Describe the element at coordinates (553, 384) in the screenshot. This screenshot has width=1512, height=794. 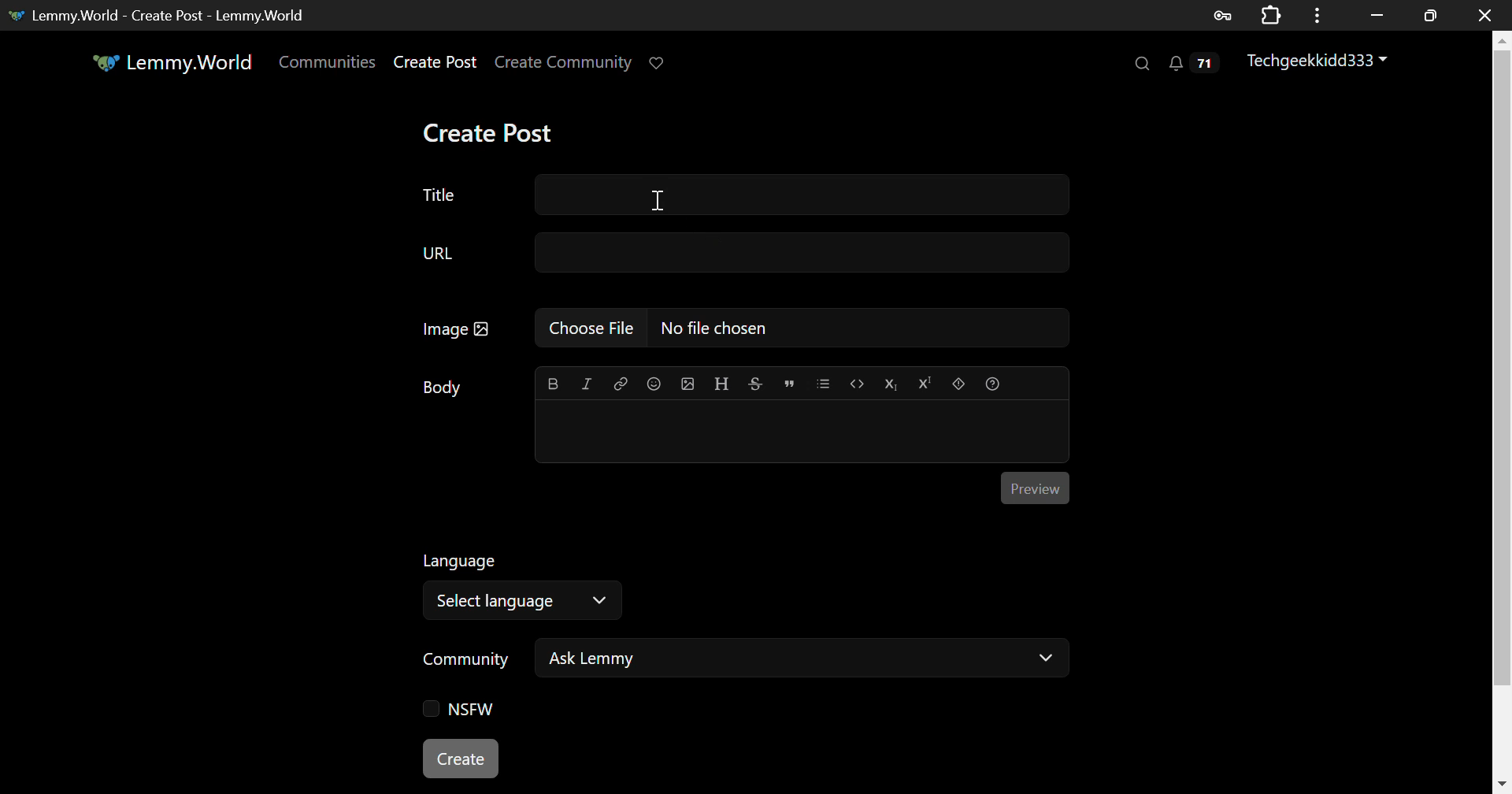
I see `Bold` at that location.